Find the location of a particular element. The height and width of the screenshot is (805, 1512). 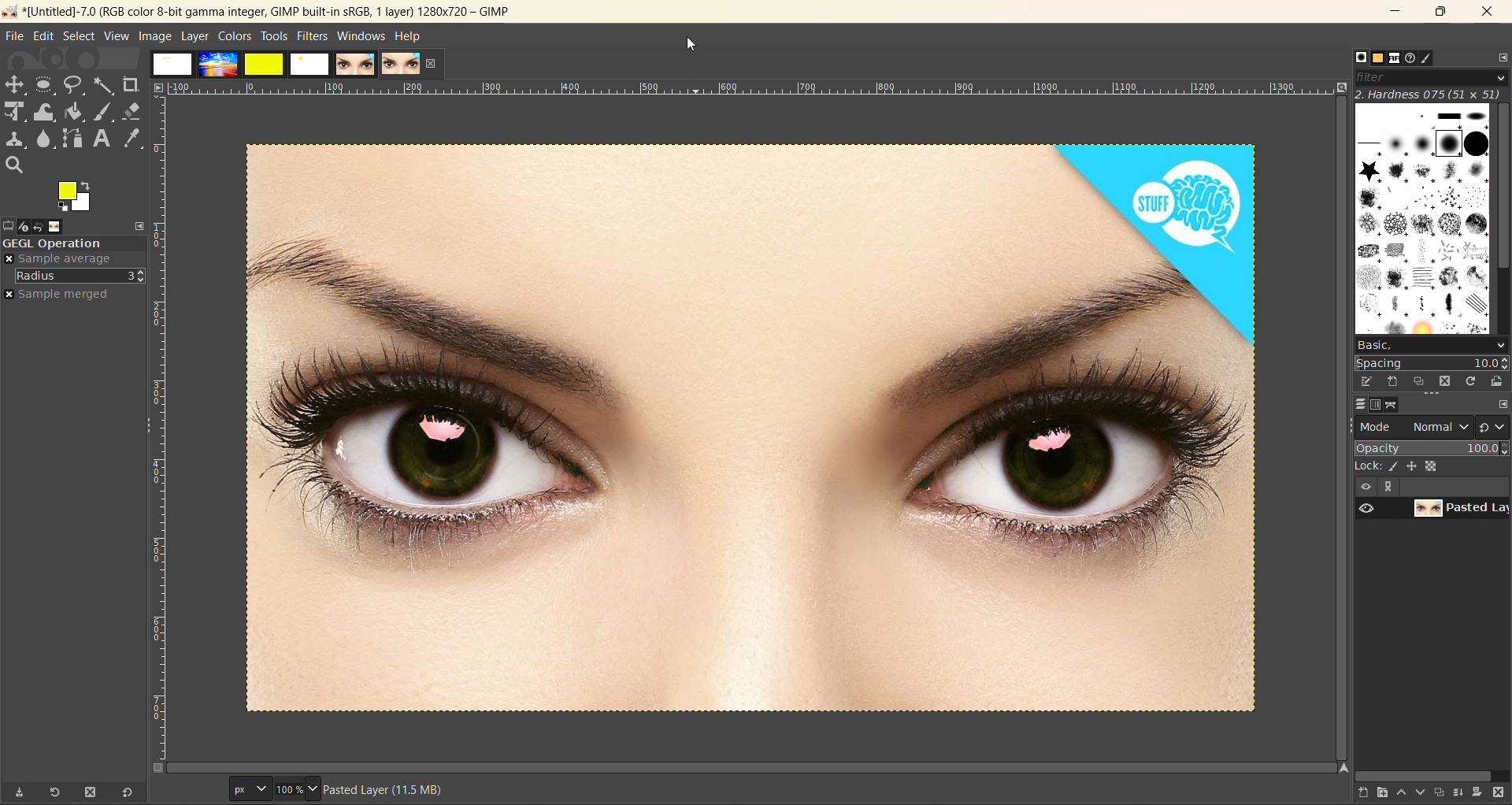

brushes is located at coordinates (1421, 219).